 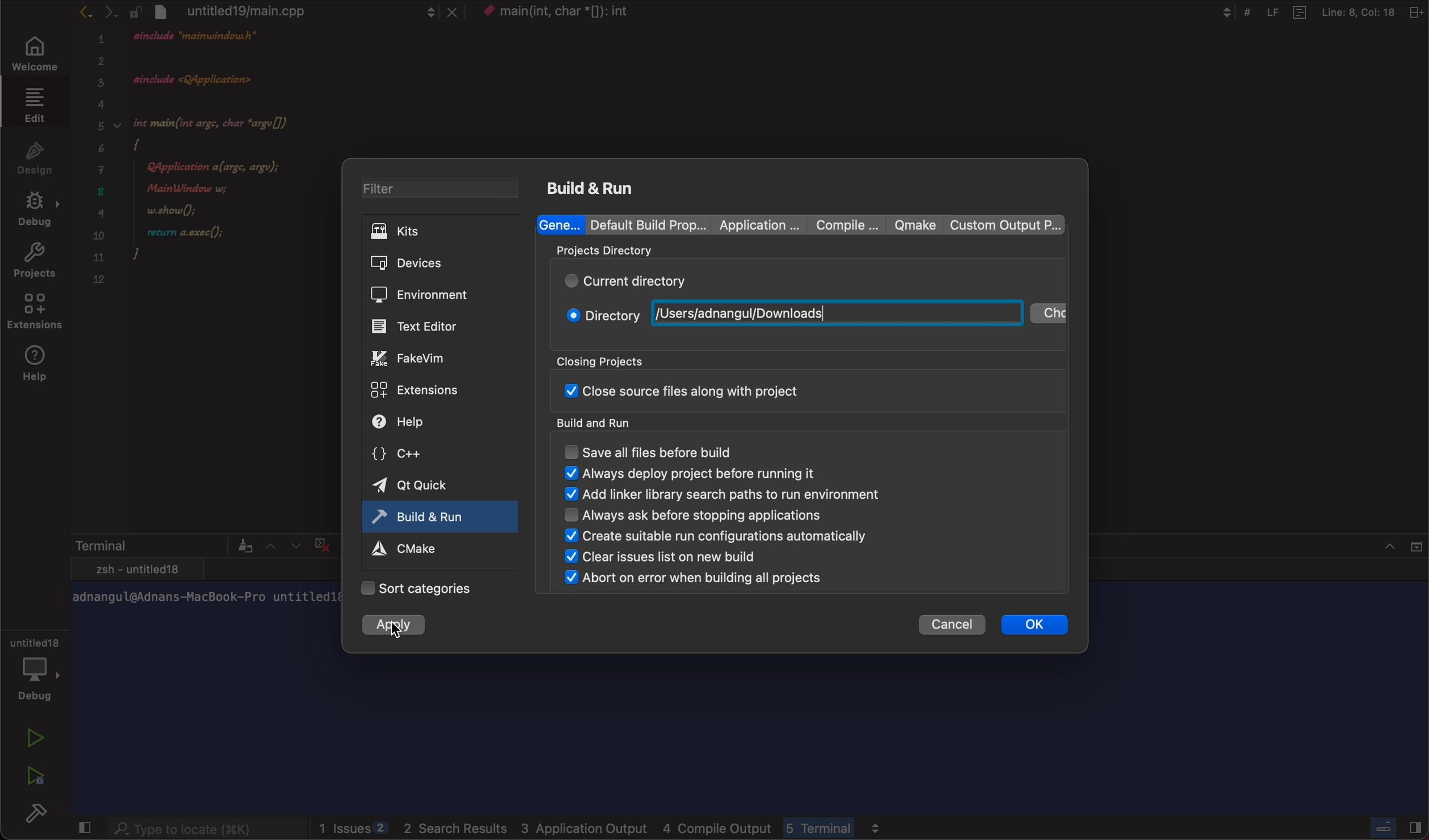 I want to click on welcome, so click(x=35, y=54).